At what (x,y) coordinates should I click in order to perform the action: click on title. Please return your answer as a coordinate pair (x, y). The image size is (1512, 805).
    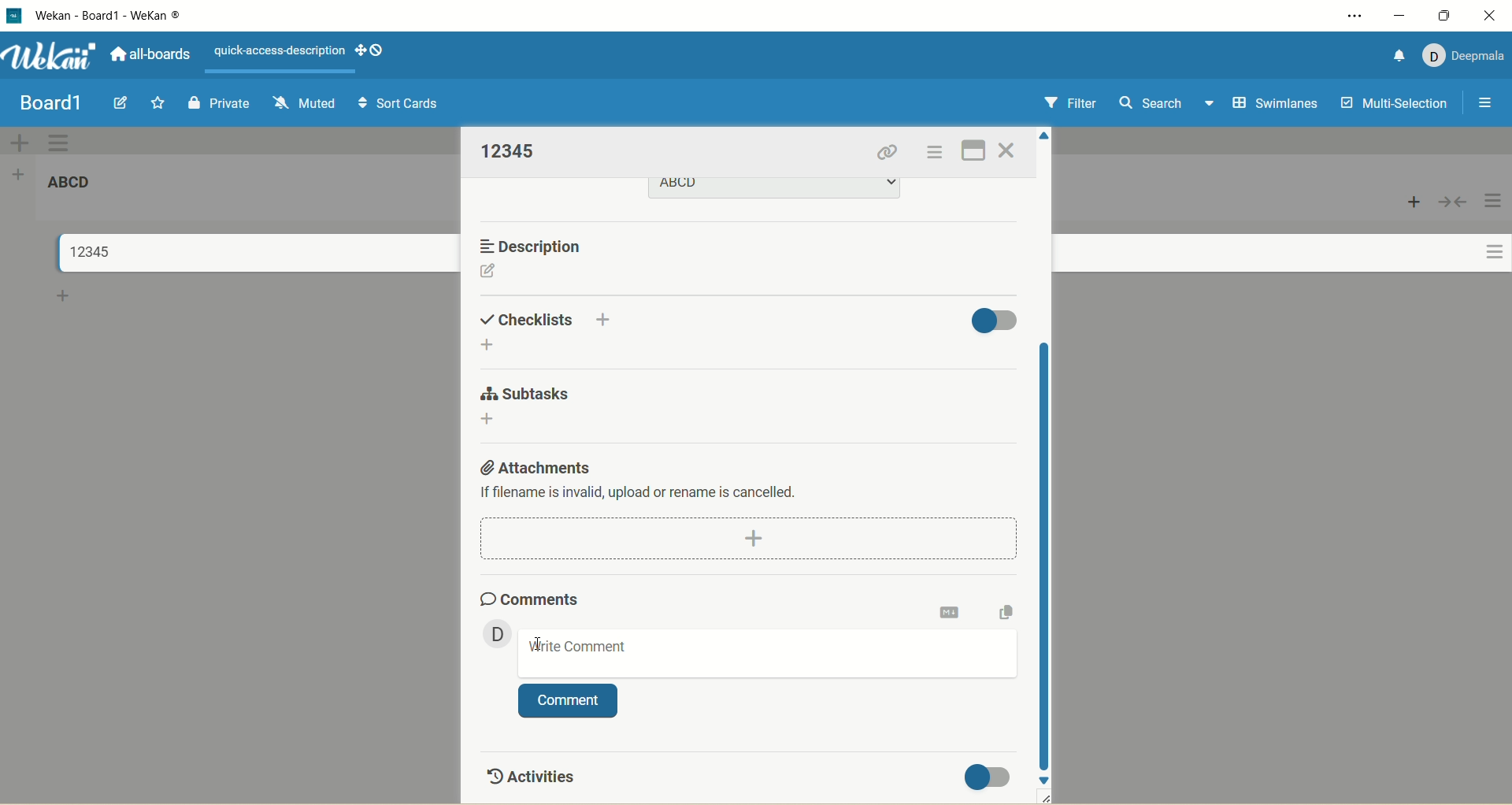
    Looking at the image, I should click on (50, 103).